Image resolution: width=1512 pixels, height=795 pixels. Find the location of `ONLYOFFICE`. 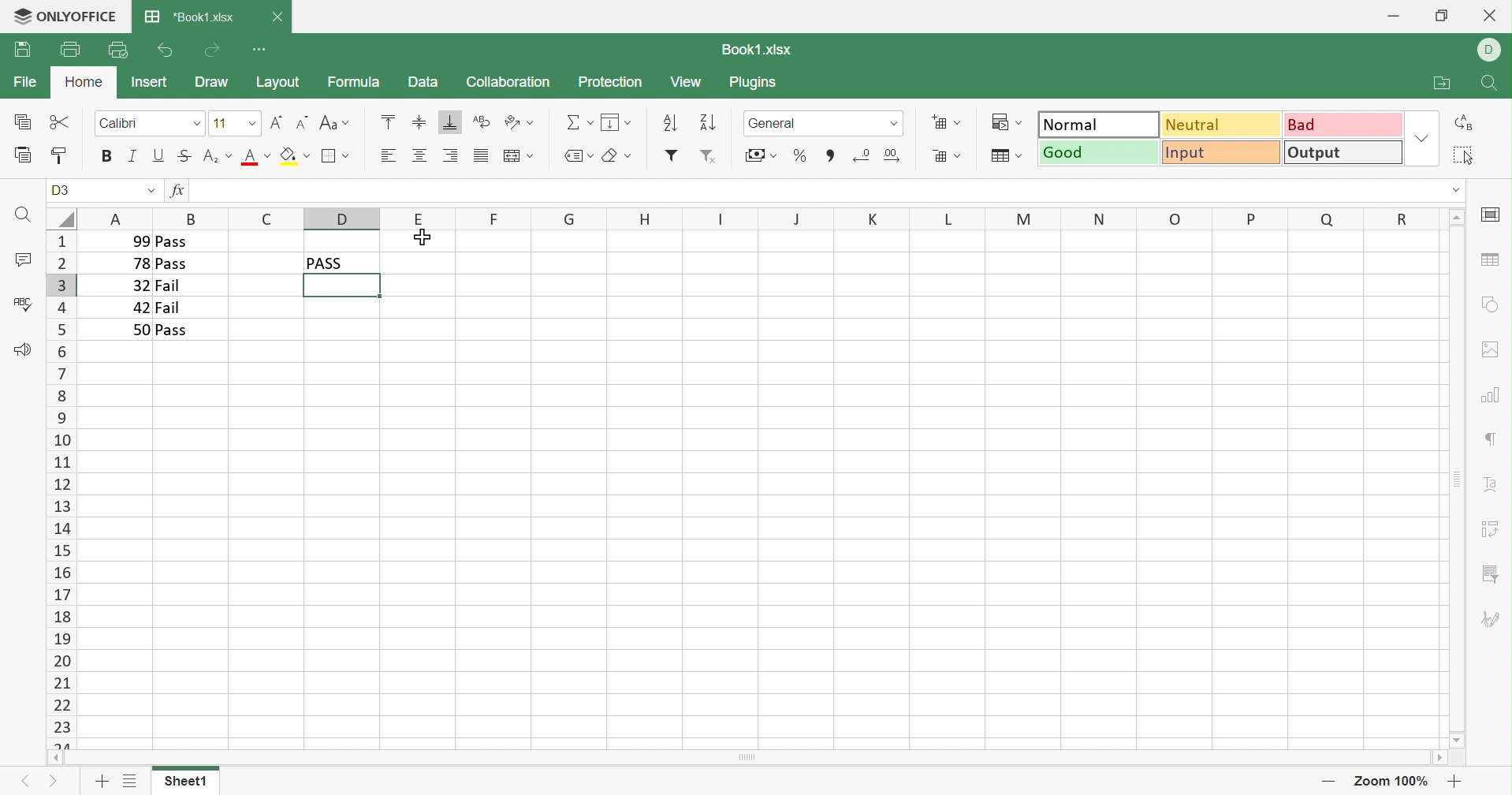

ONLYOFFICE is located at coordinates (81, 15).